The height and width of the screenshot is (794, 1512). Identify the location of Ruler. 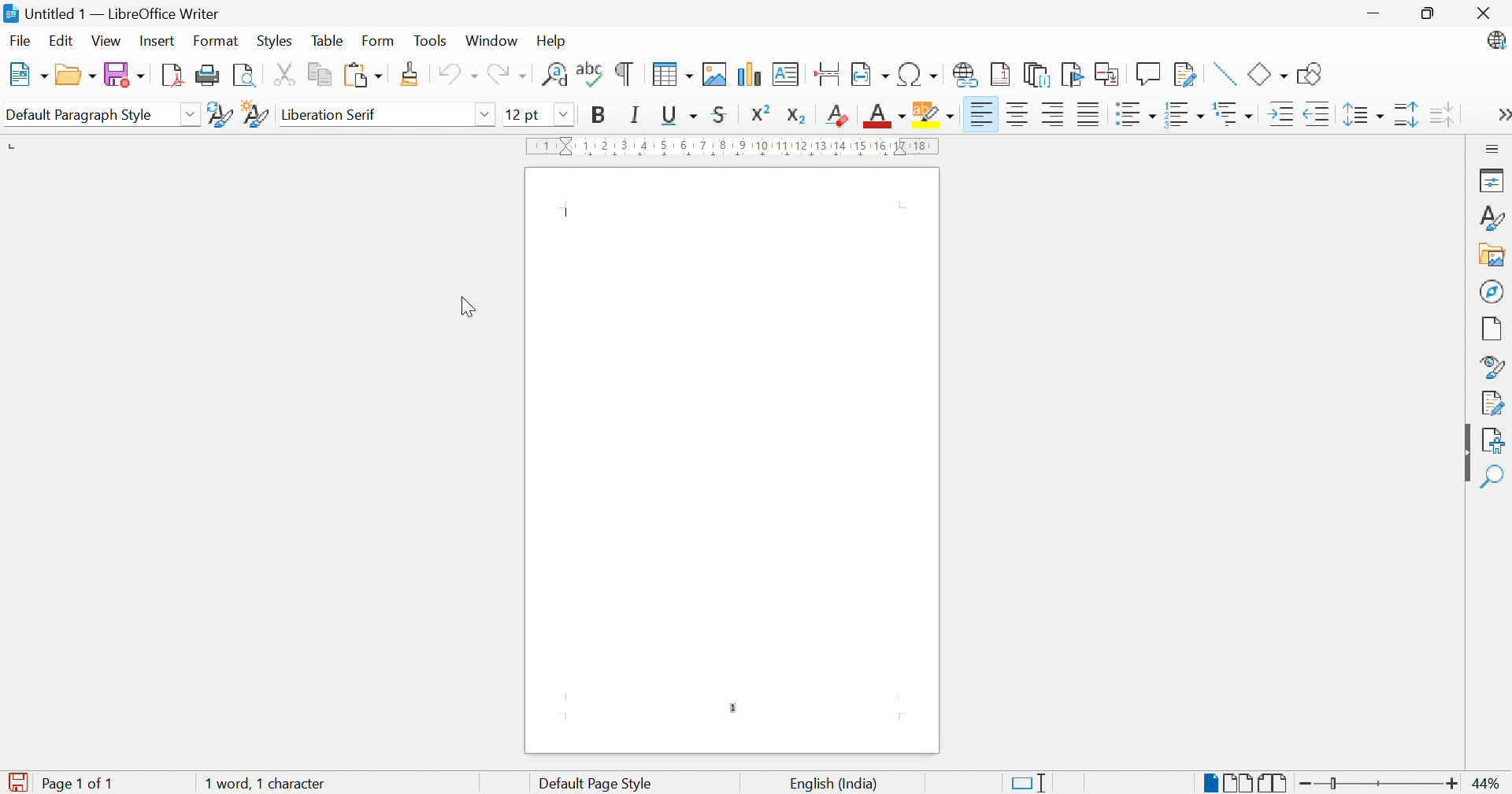
(735, 147).